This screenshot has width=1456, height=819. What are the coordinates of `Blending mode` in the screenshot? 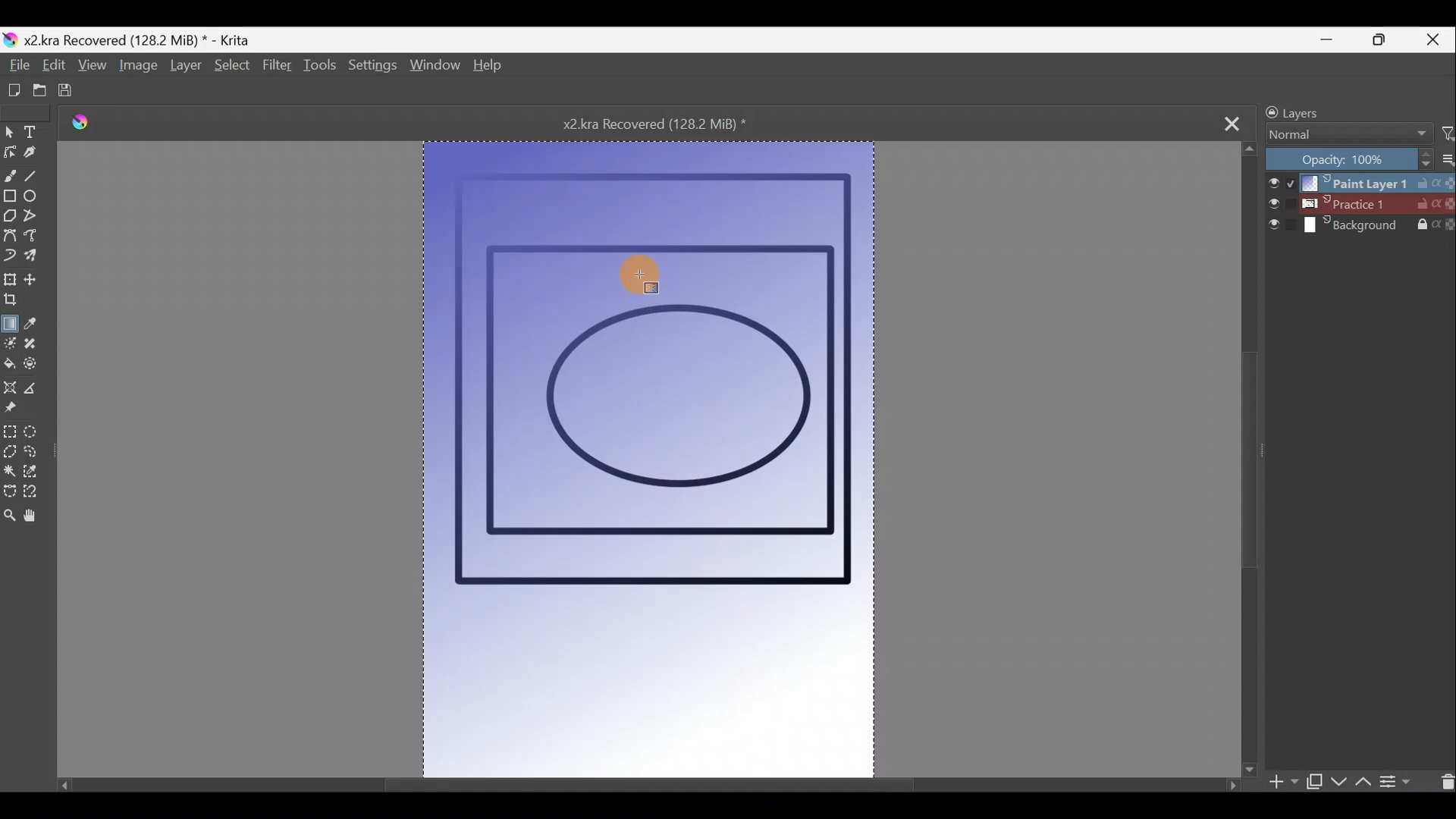 It's located at (1343, 136).